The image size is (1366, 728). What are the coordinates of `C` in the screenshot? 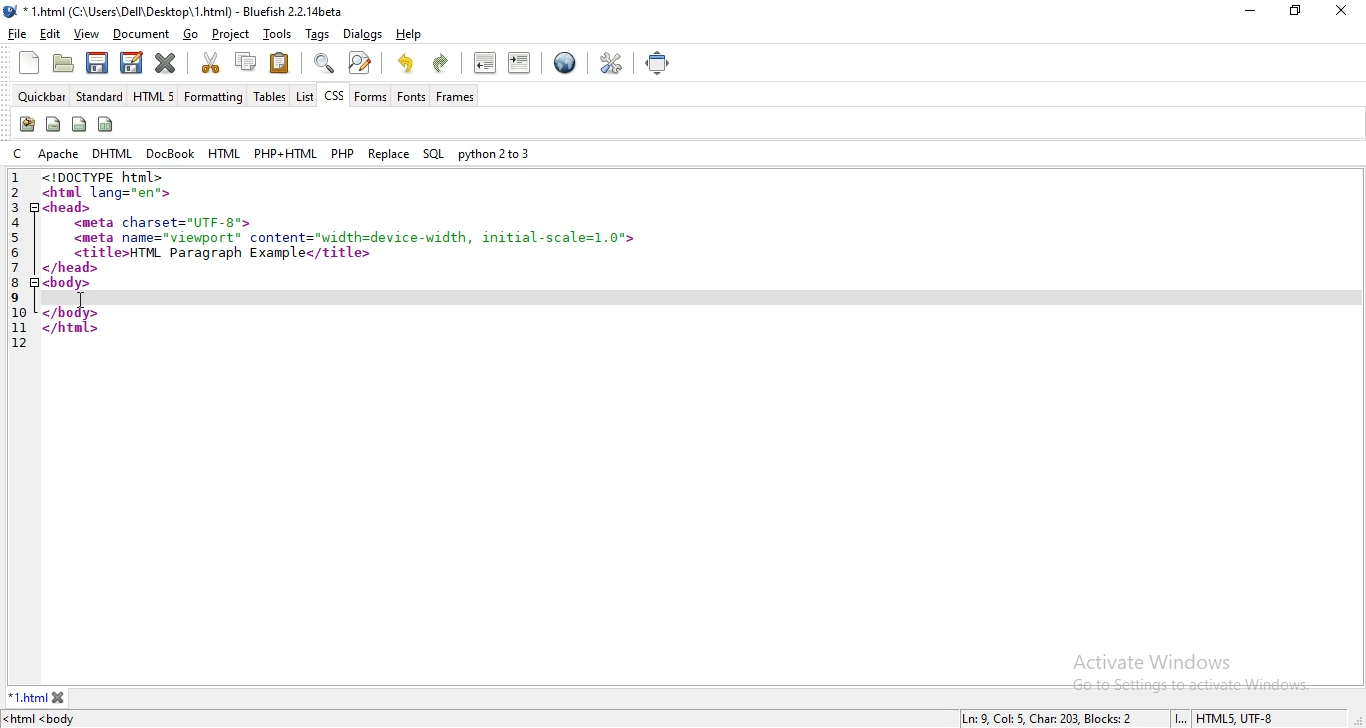 It's located at (18, 154).